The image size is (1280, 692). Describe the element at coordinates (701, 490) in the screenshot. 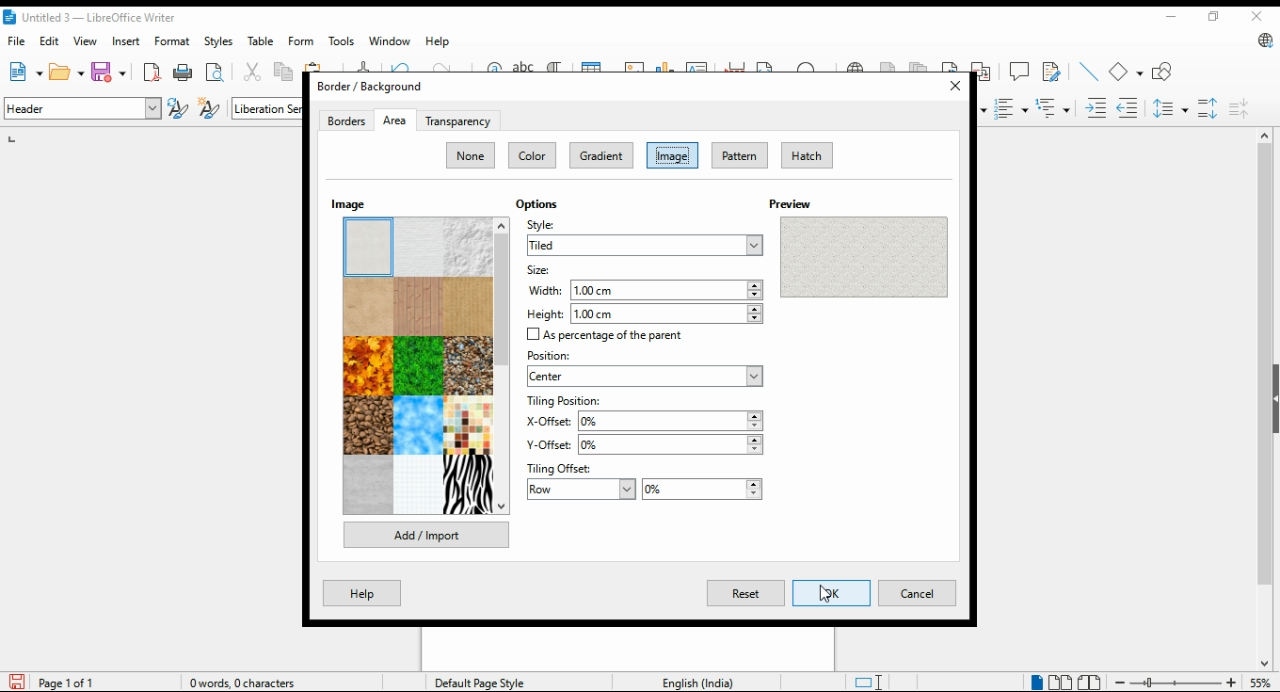

I see `percentage` at that location.